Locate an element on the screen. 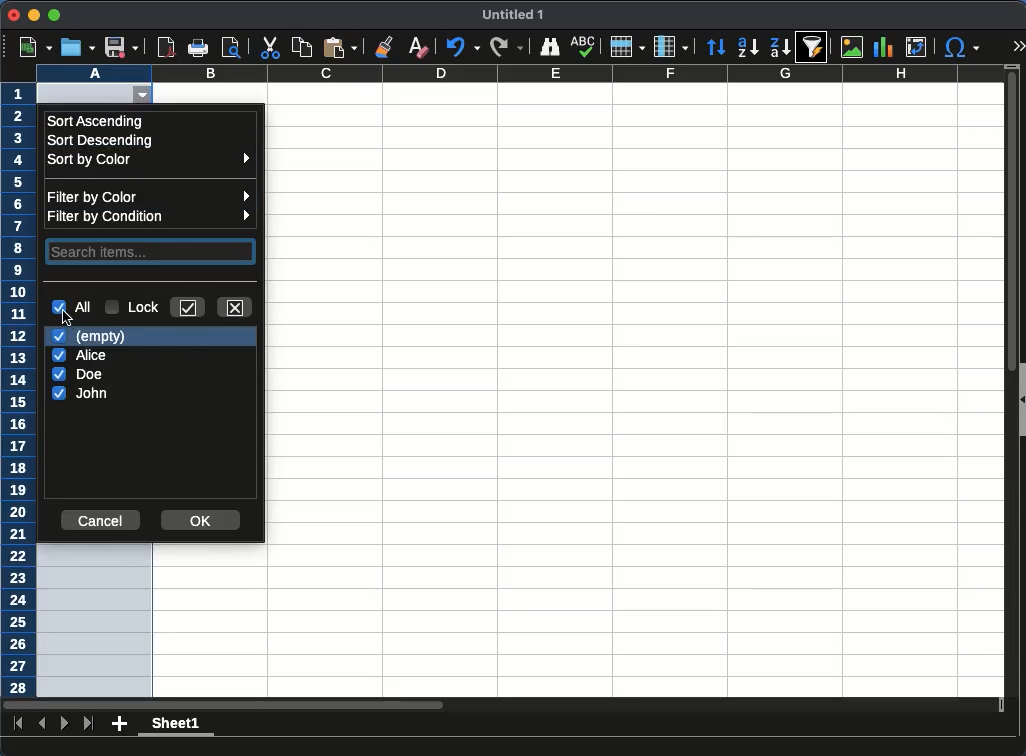 The image size is (1026, 756). lock is located at coordinates (133, 306).